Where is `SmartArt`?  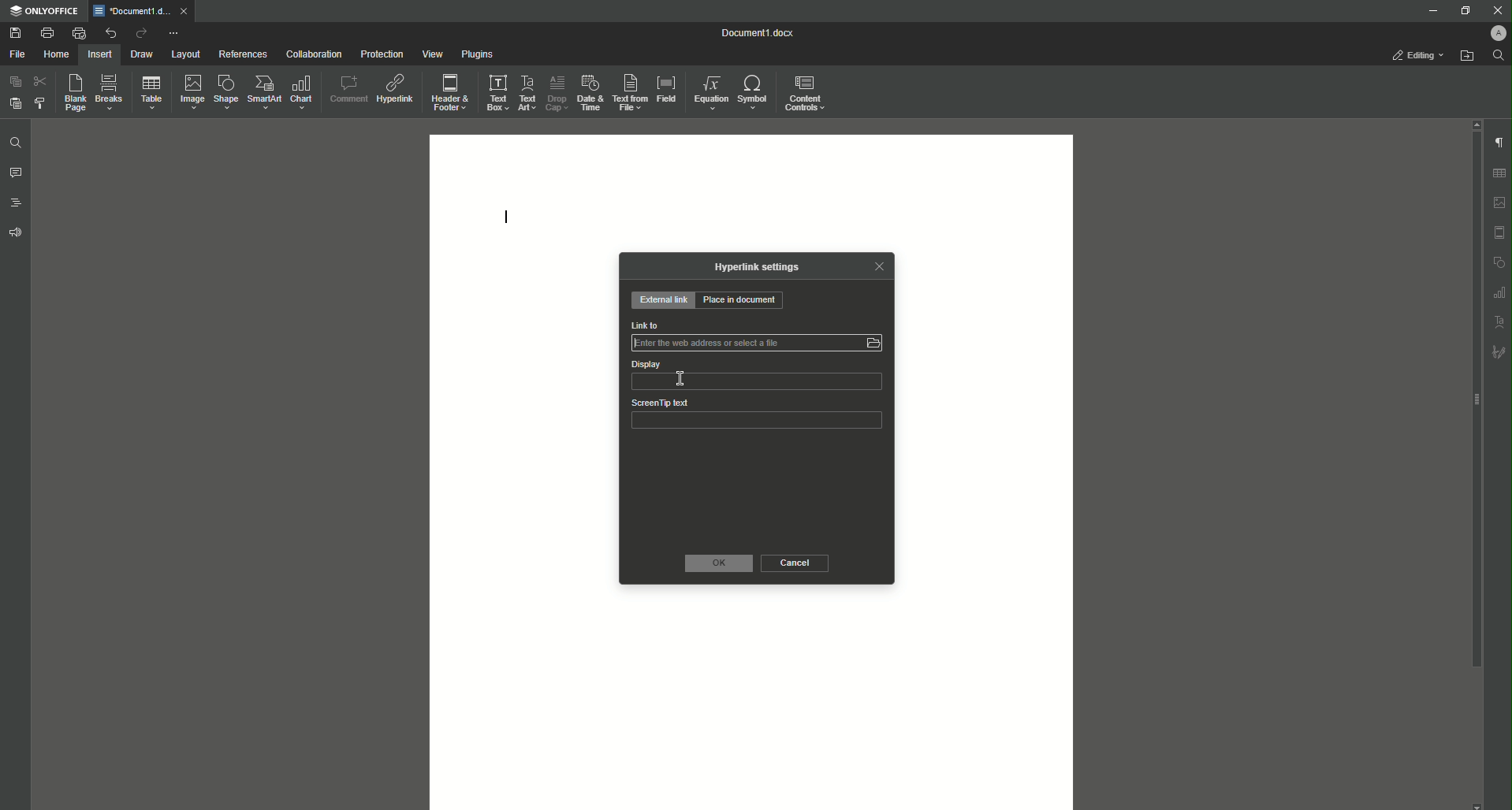 SmartArt is located at coordinates (266, 92).